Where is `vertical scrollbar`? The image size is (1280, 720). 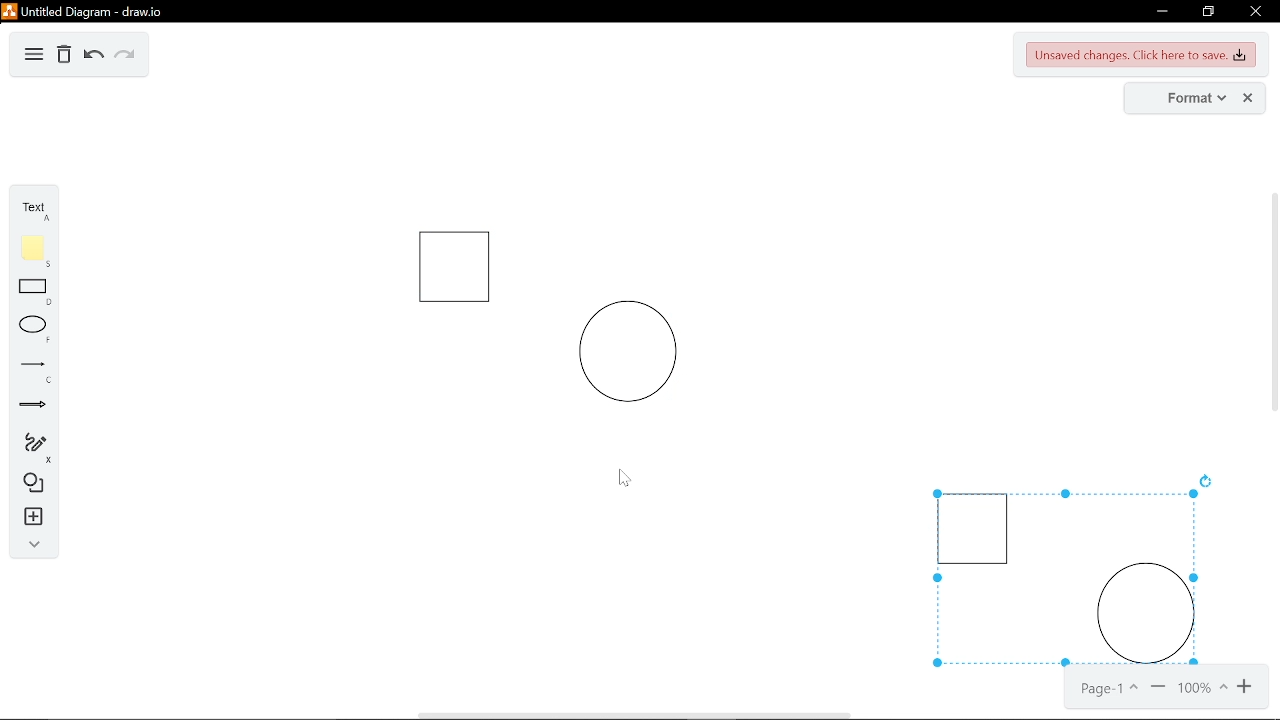
vertical scrollbar is located at coordinates (1272, 366).